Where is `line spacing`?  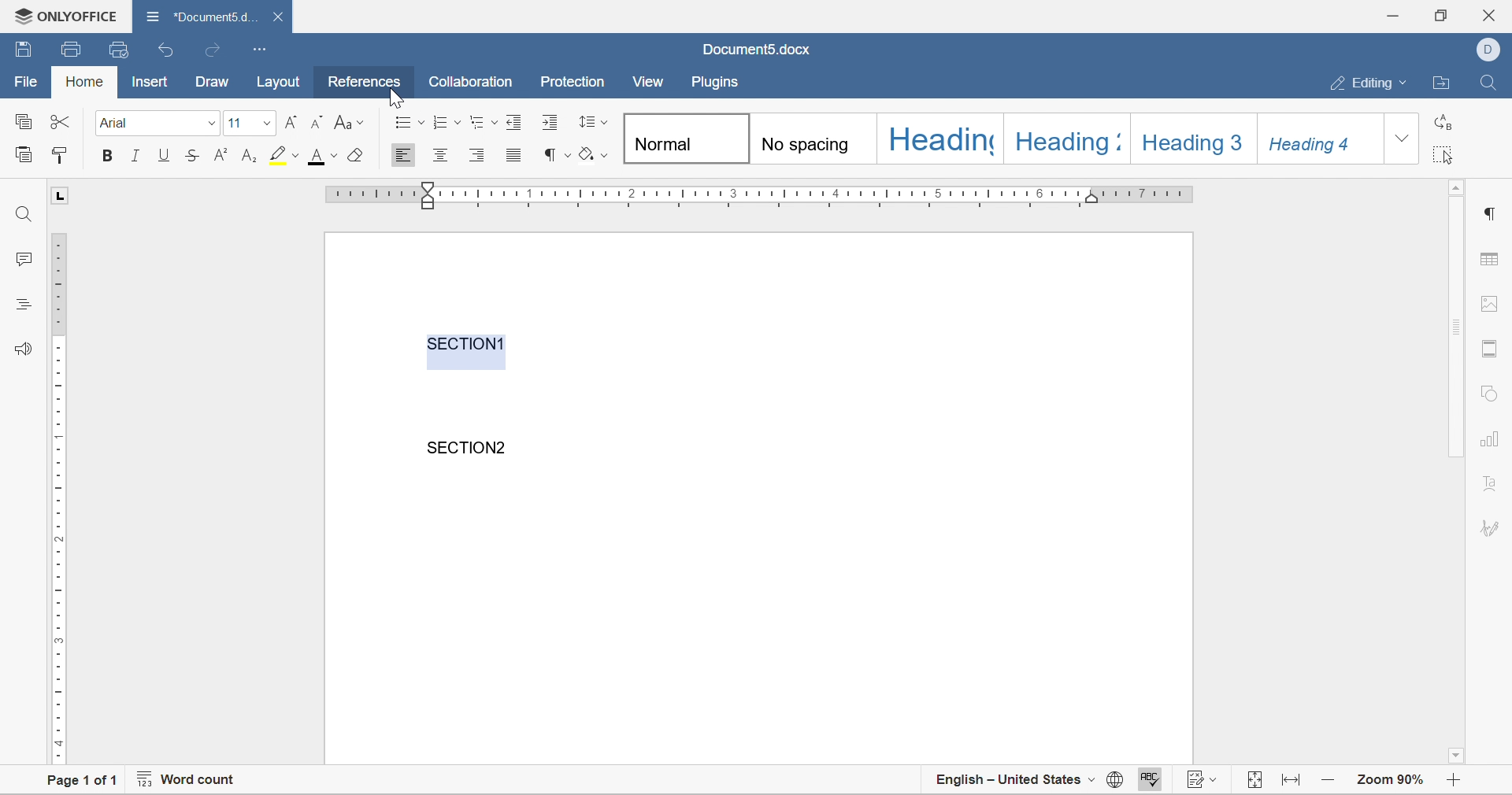 line spacing is located at coordinates (593, 120).